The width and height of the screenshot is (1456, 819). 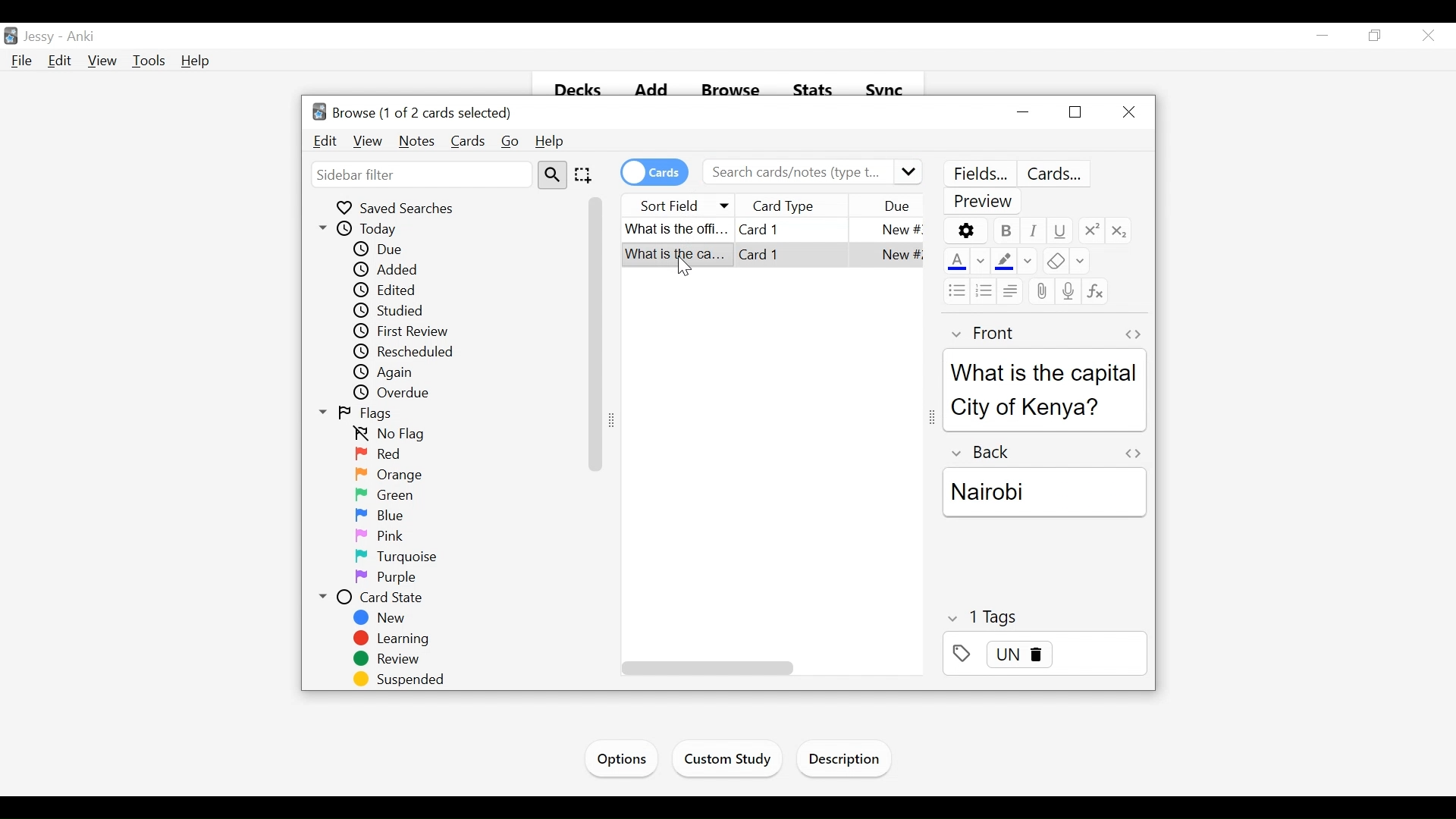 I want to click on Sync, so click(x=886, y=92).